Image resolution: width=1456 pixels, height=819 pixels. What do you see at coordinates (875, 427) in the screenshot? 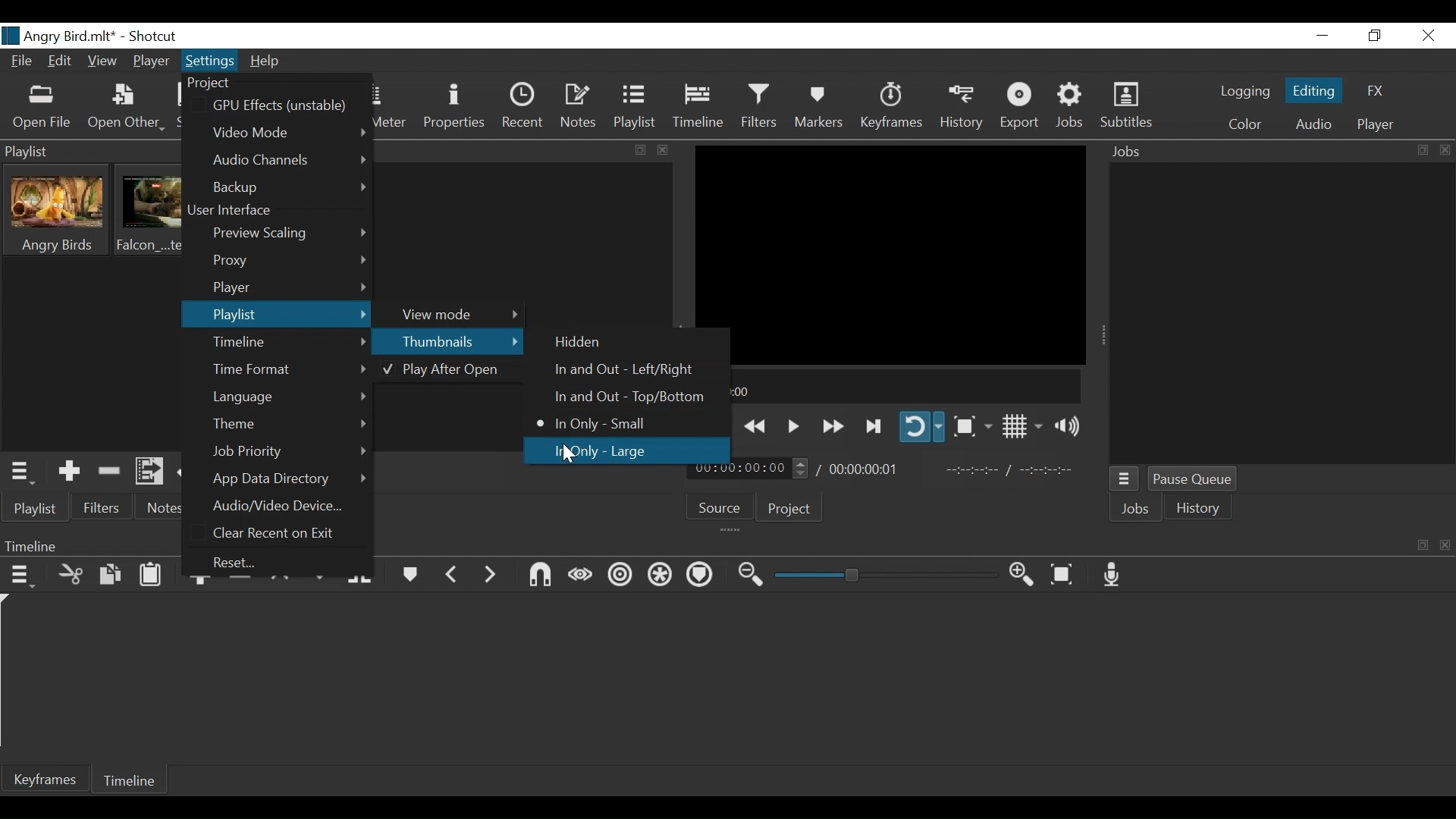
I see `Skip to the next point` at bounding box center [875, 427].